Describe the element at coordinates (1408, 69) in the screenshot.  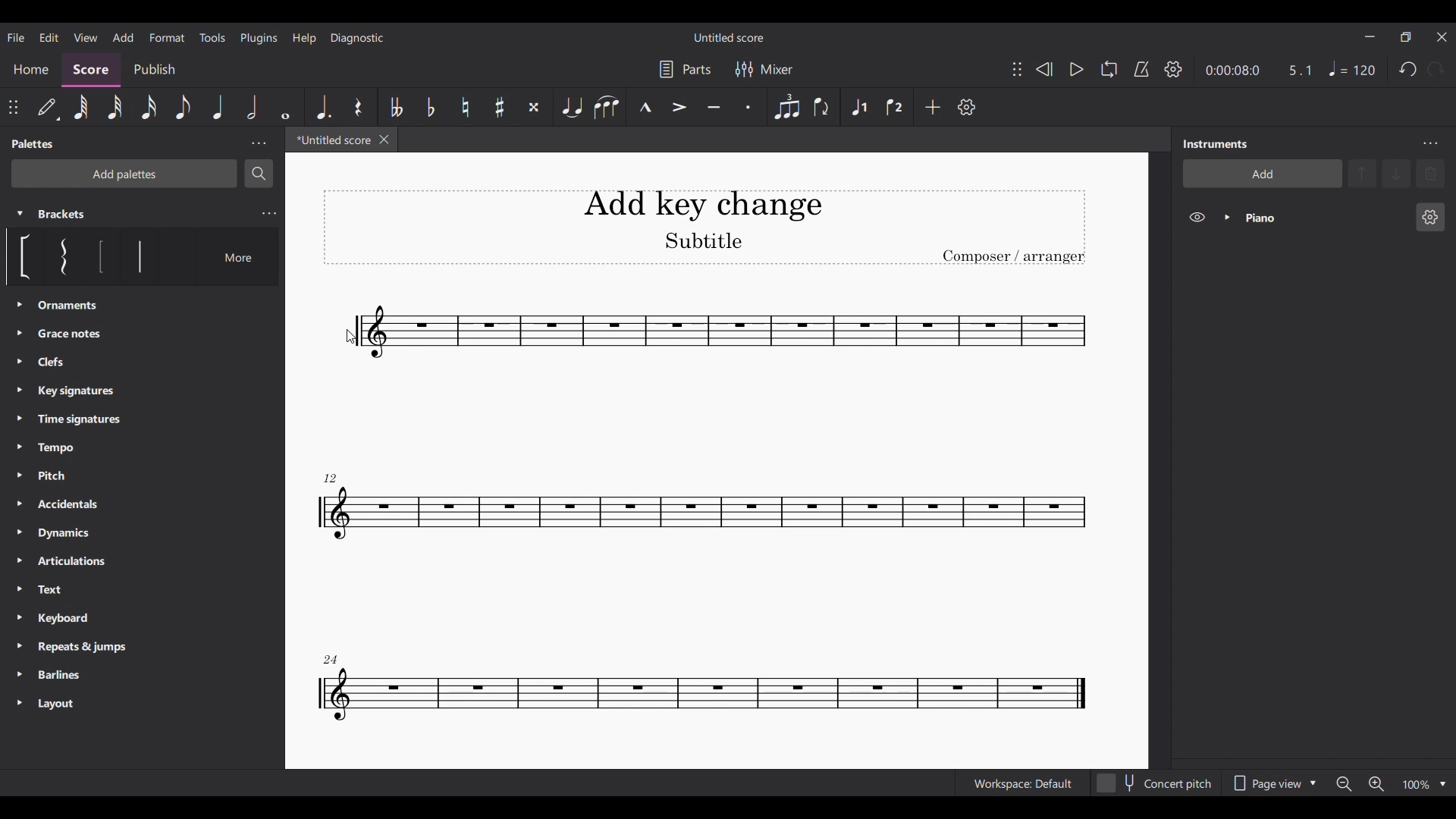
I see `Undo` at that location.